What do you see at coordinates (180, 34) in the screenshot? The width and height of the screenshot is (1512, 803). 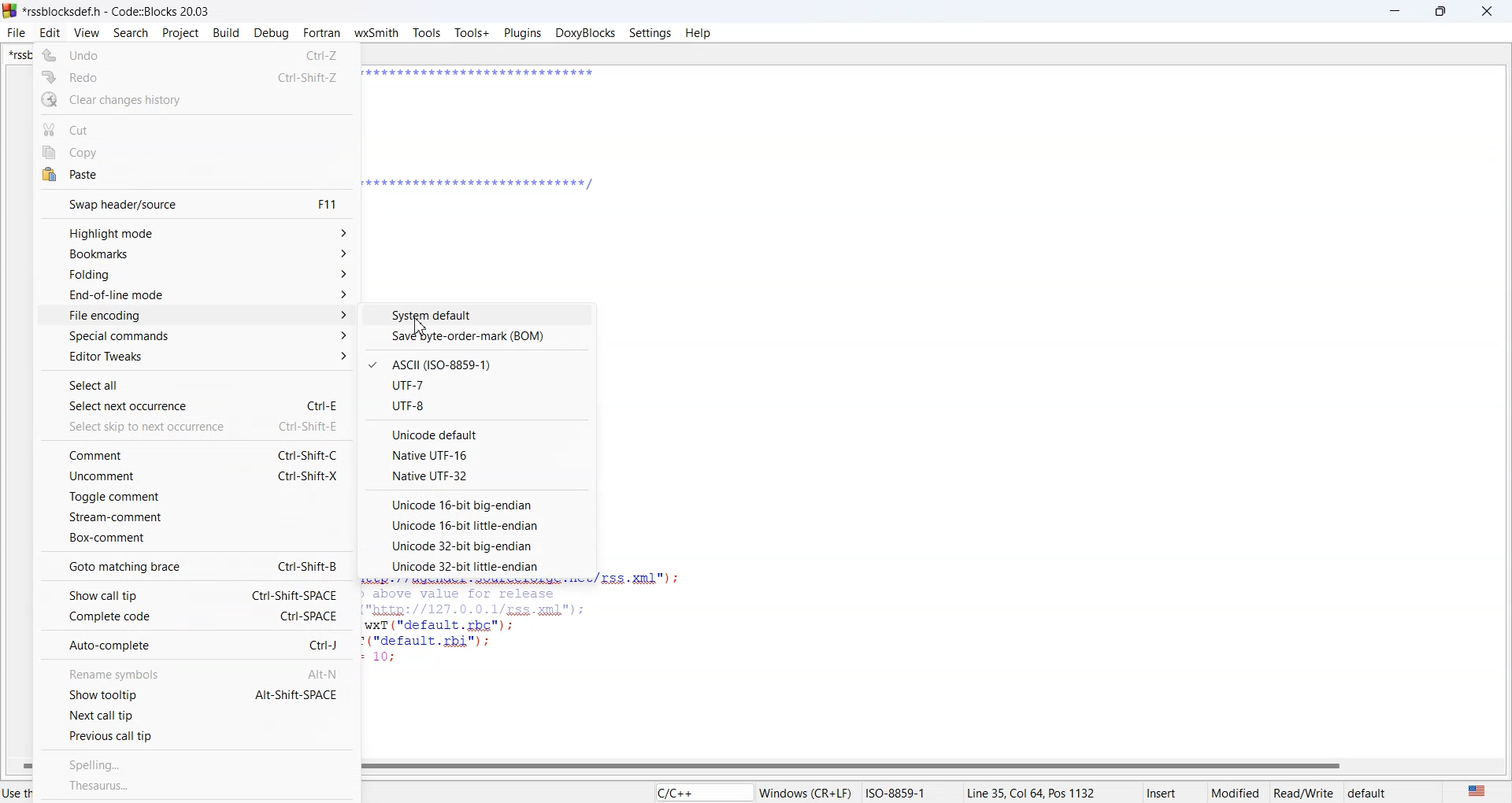 I see `Project` at bounding box center [180, 34].